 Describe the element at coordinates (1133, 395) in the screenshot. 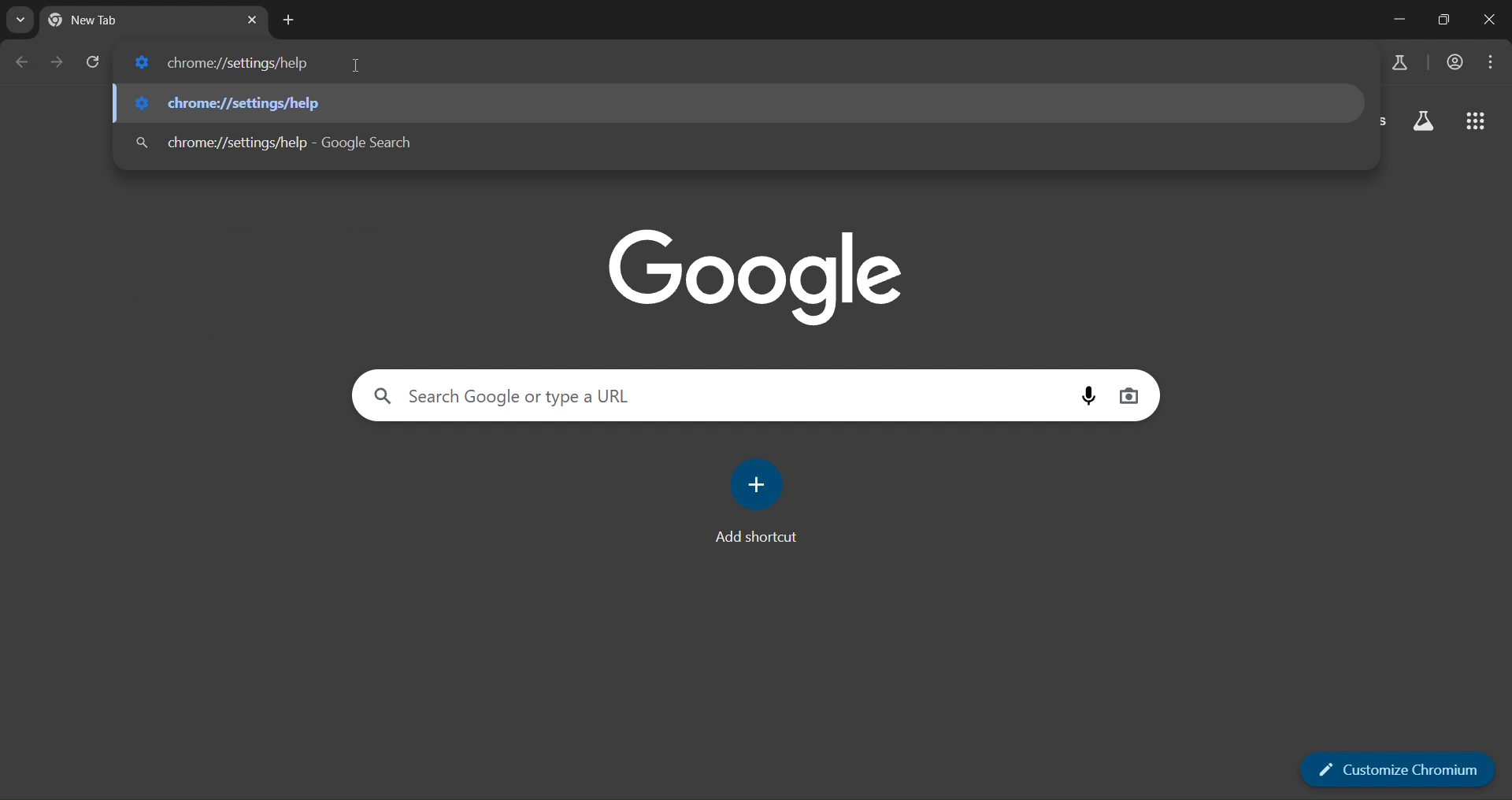

I see `image search` at that location.